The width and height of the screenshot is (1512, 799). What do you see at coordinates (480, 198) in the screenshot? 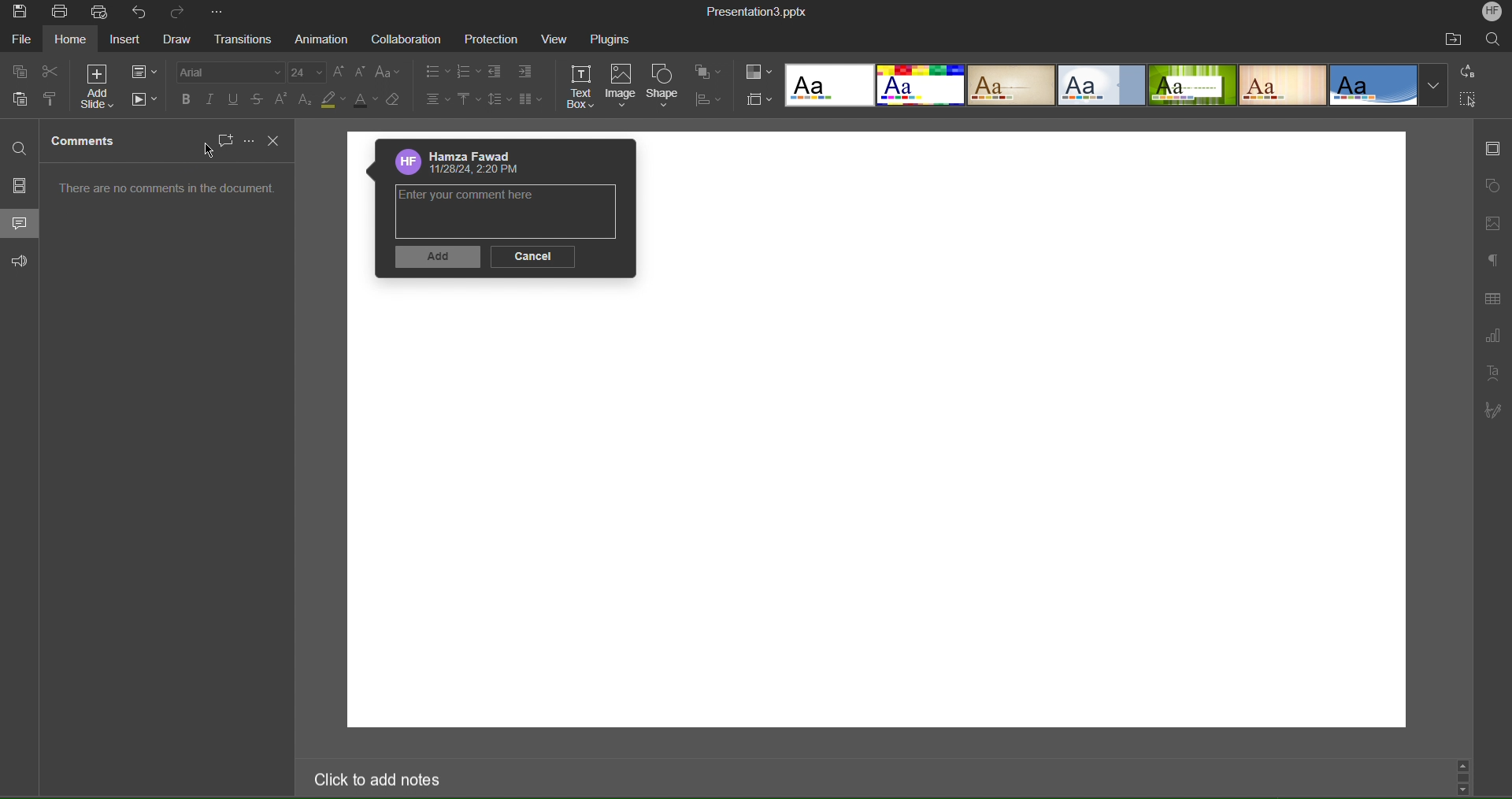
I see `Enter your comment here` at bounding box center [480, 198].